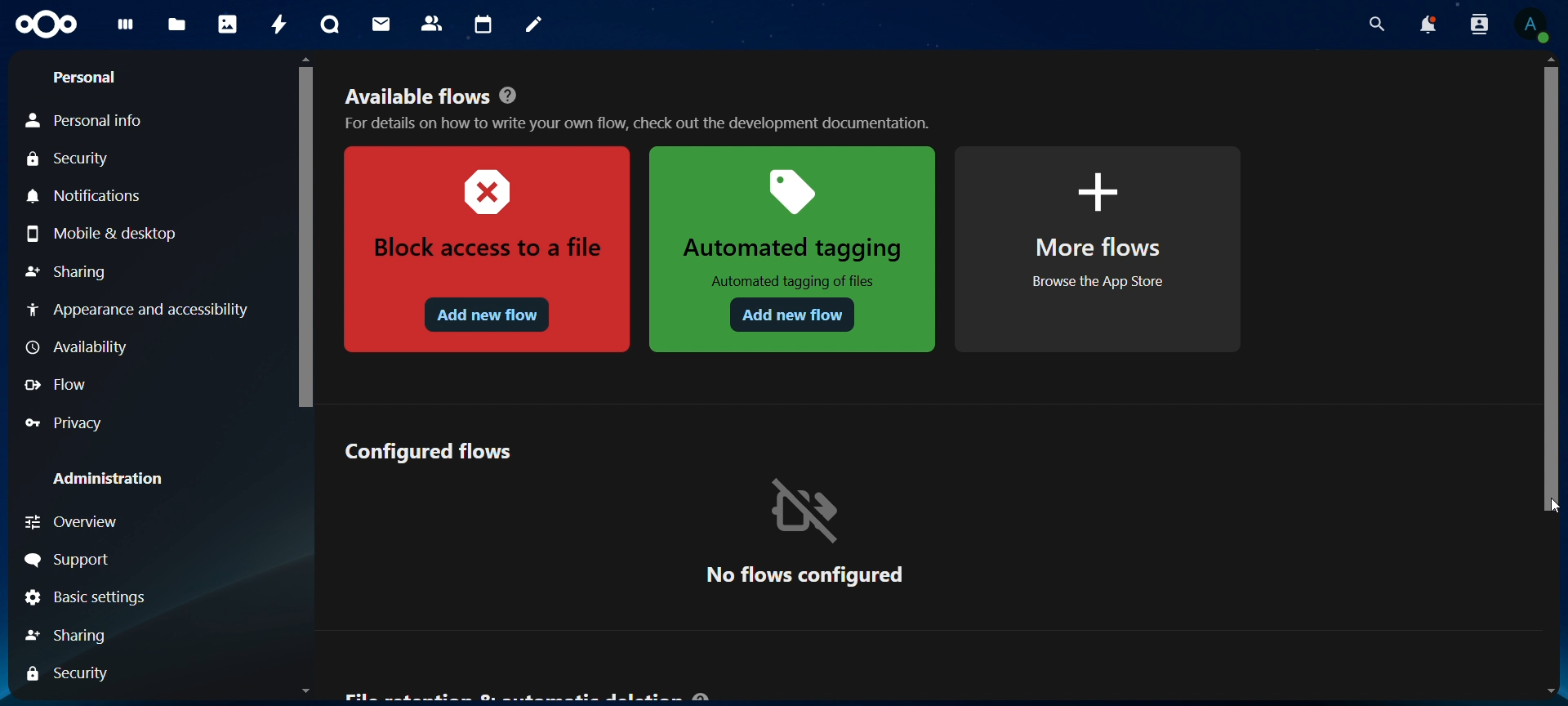 Image resolution: width=1568 pixels, height=706 pixels. I want to click on contacts, so click(433, 25).